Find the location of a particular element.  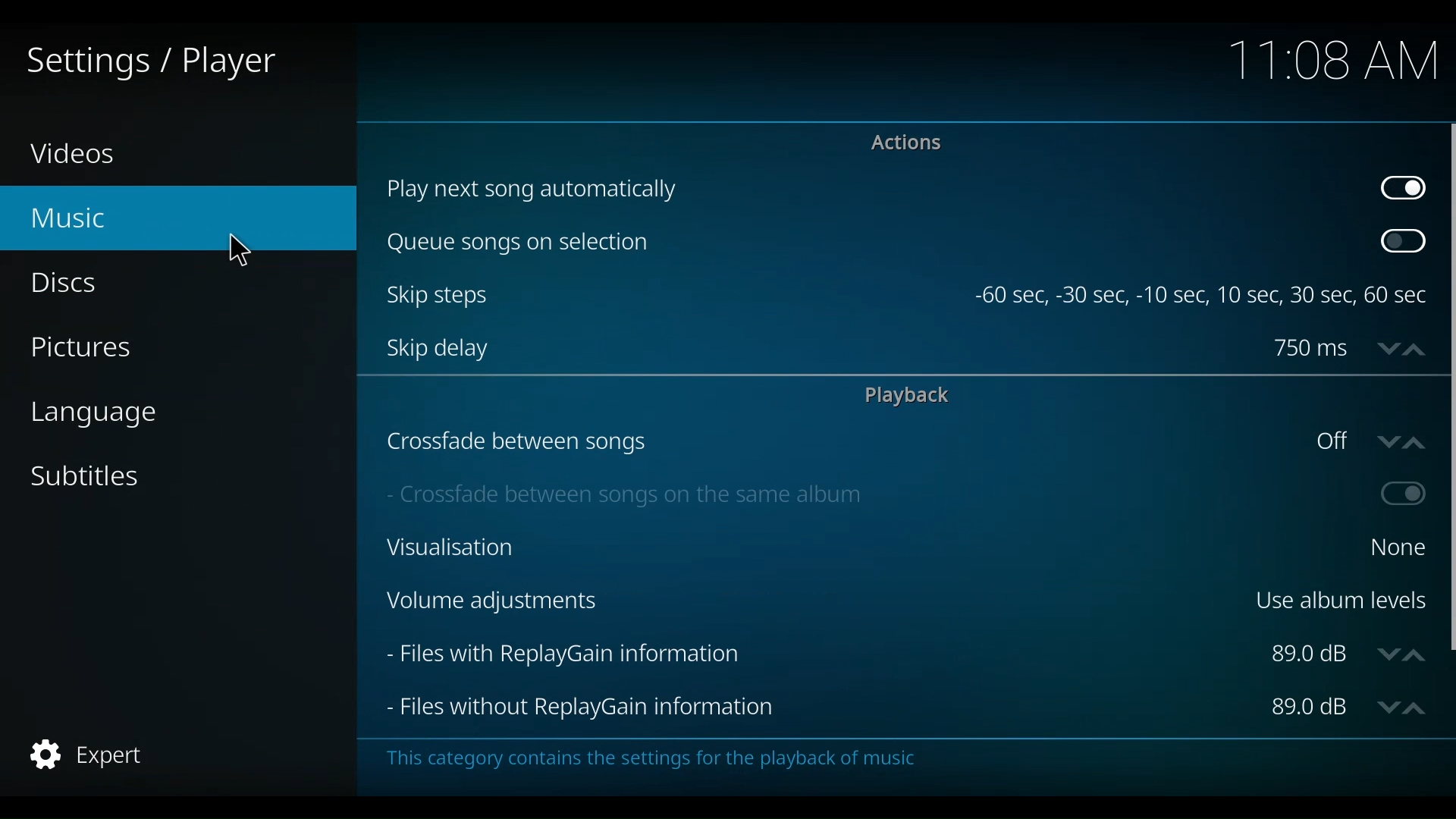

Pictures is located at coordinates (85, 347).